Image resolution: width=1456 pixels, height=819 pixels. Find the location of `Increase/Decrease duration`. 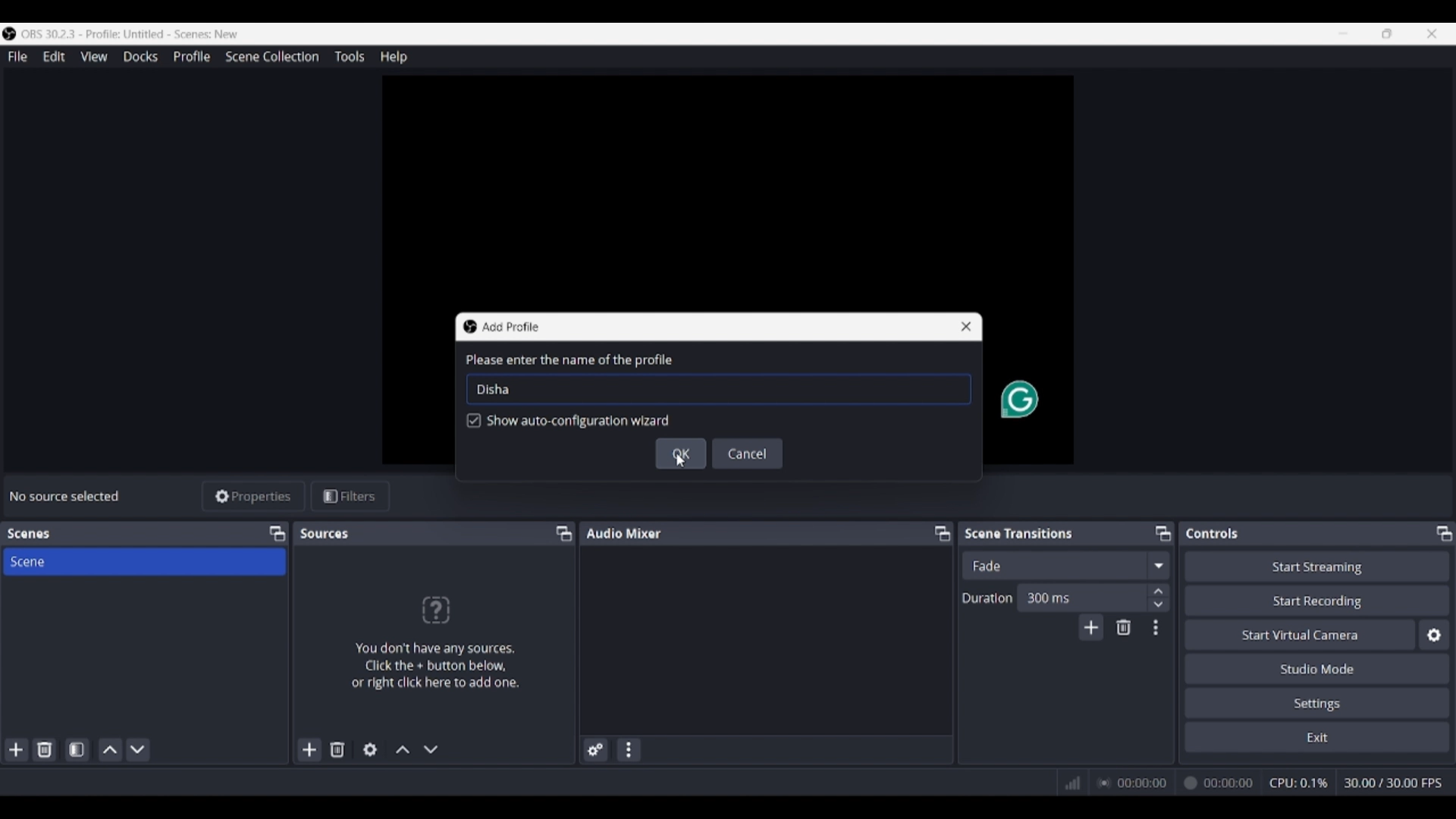

Increase/Decrease duration is located at coordinates (1159, 597).